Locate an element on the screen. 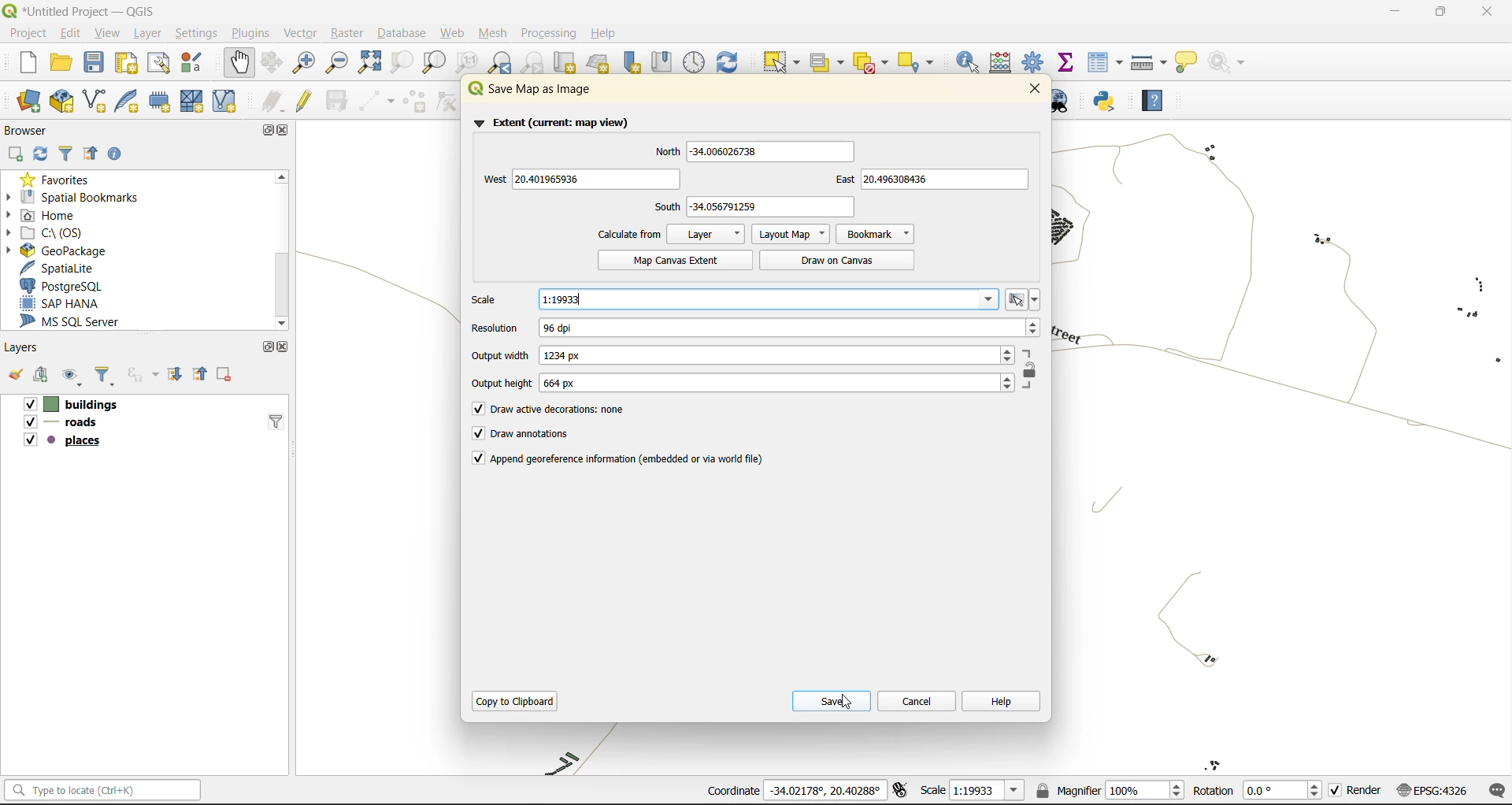 This screenshot has height=805, width=1512. manage map is located at coordinates (72, 376).